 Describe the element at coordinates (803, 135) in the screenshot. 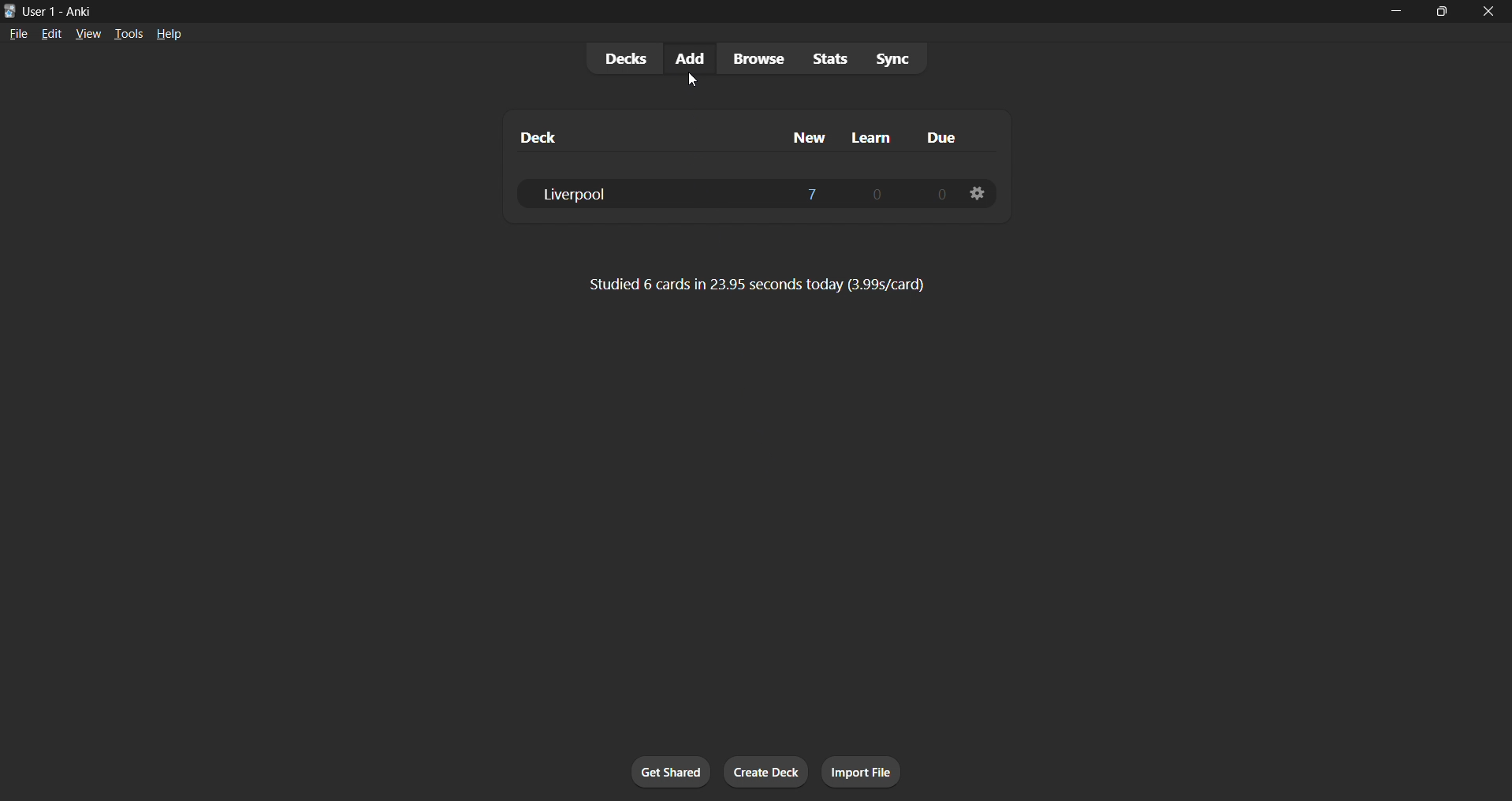

I see `new column` at that location.